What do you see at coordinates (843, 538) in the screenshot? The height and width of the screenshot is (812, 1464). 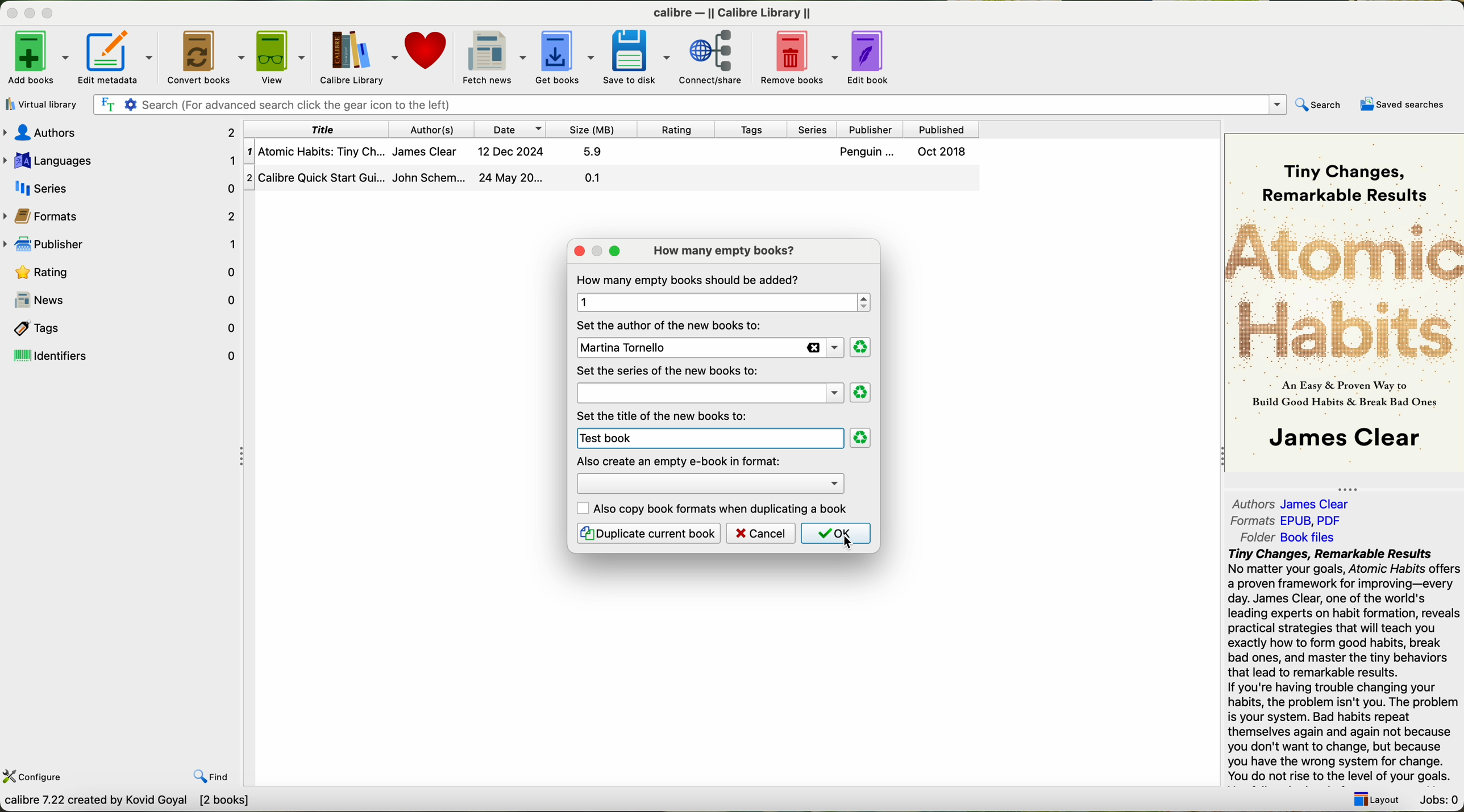 I see `cursor` at bounding box center [843, 538].